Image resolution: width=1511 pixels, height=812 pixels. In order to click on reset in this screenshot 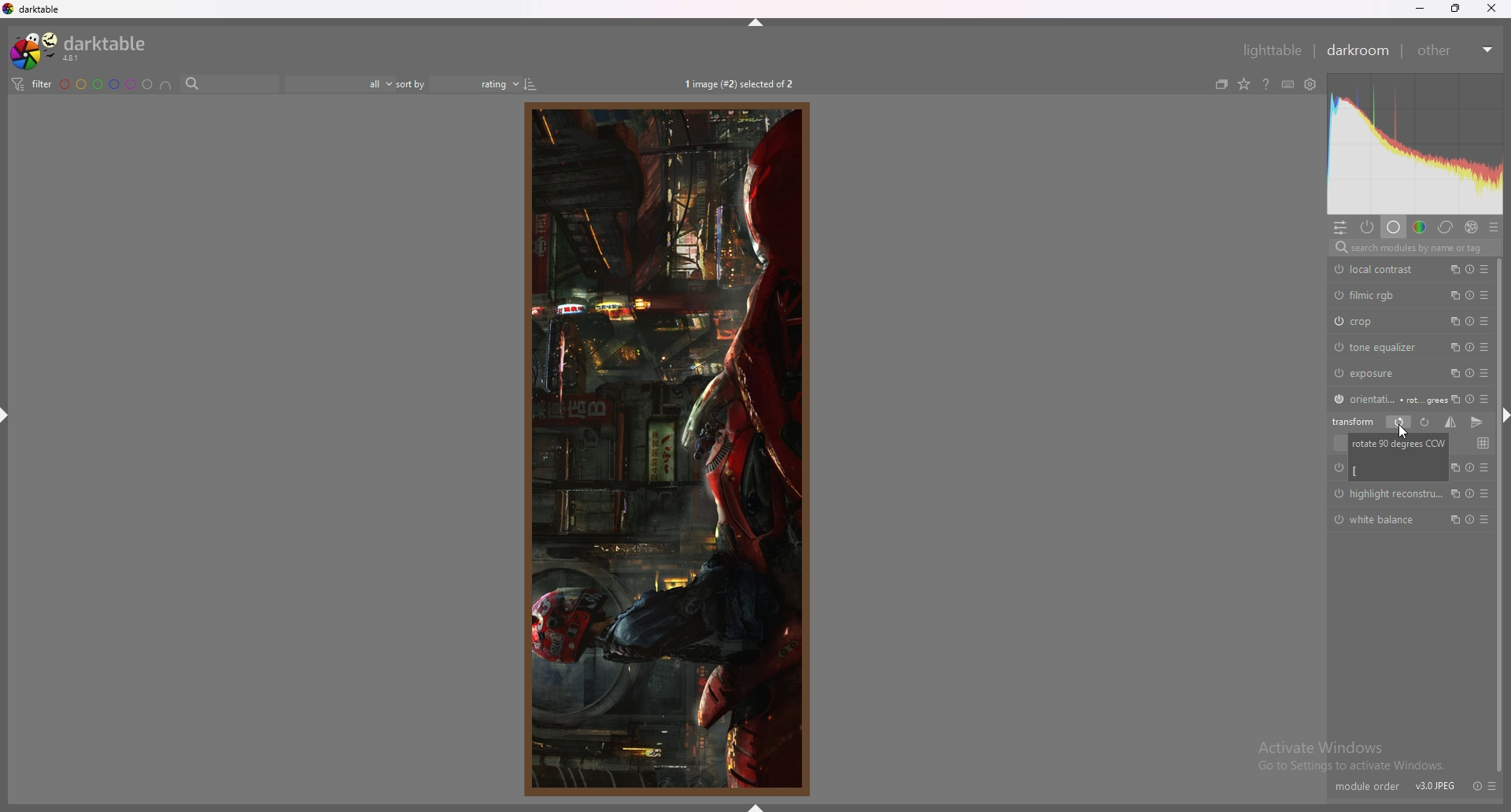, I will do `click(1470, 269)`.